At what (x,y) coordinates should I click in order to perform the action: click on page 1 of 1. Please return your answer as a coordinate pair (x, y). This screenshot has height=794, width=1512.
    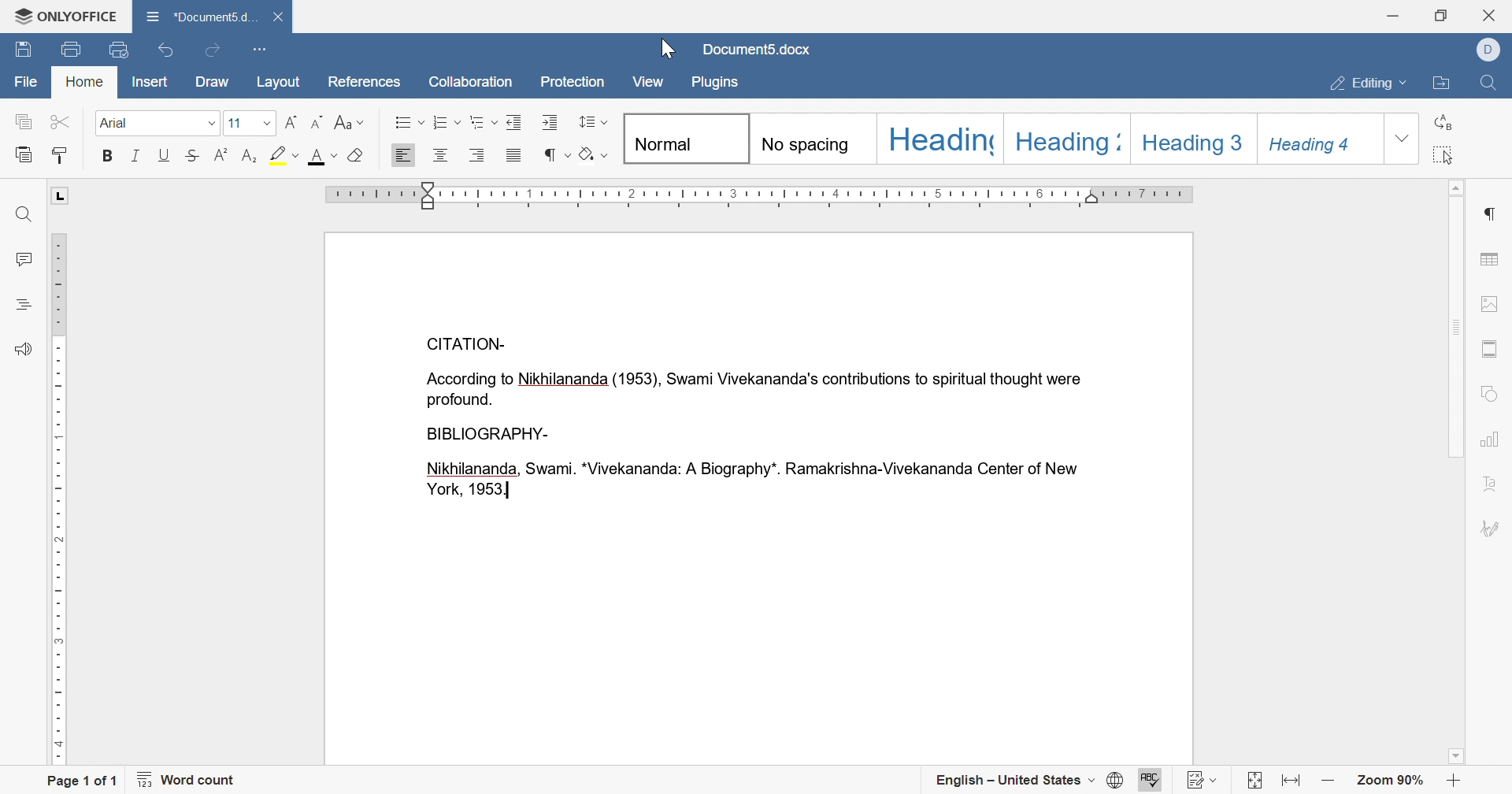
    Looking at the image, I should click on (85, 781).